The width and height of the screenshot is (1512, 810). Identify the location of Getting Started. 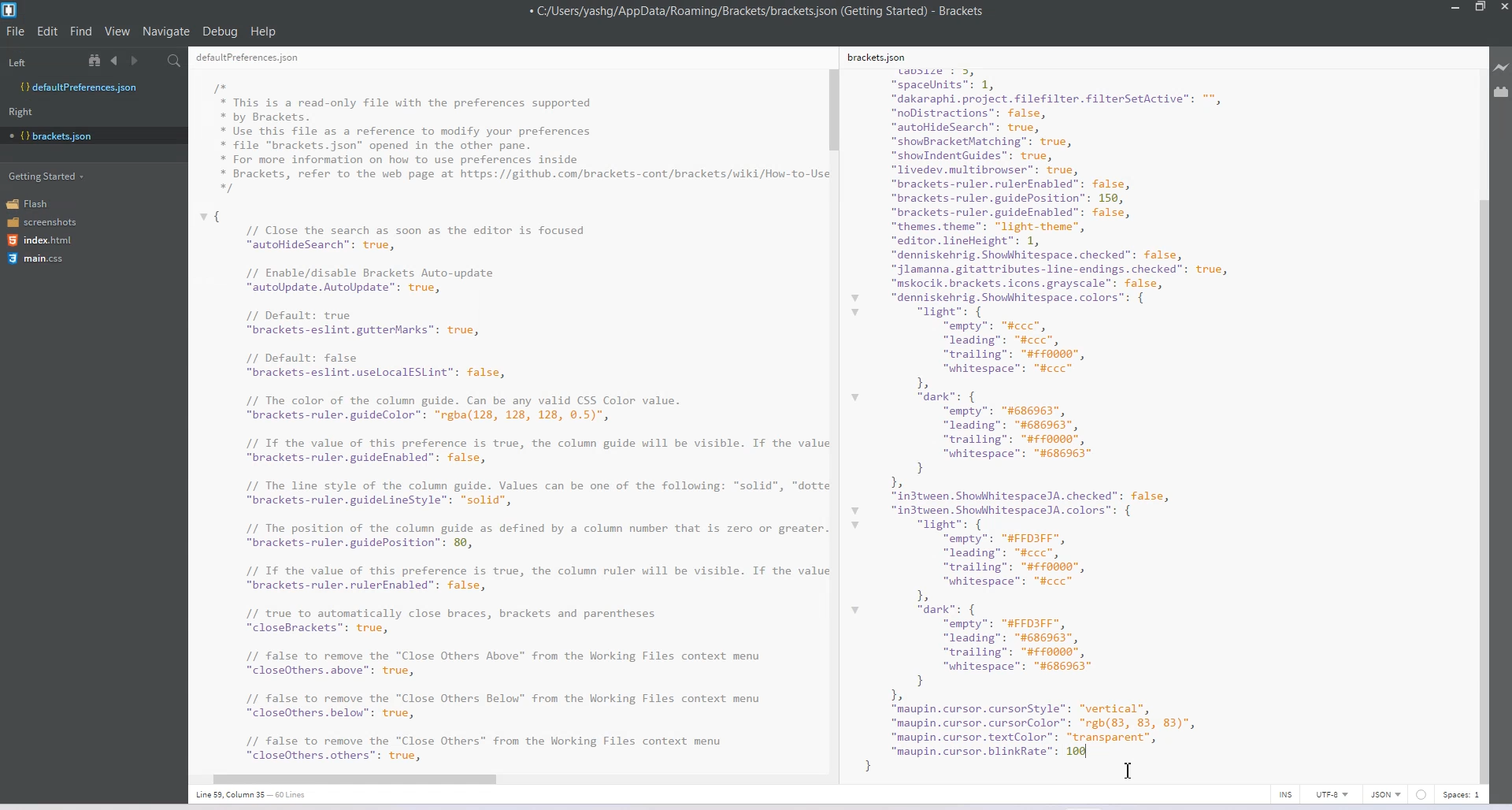
(48, 175).